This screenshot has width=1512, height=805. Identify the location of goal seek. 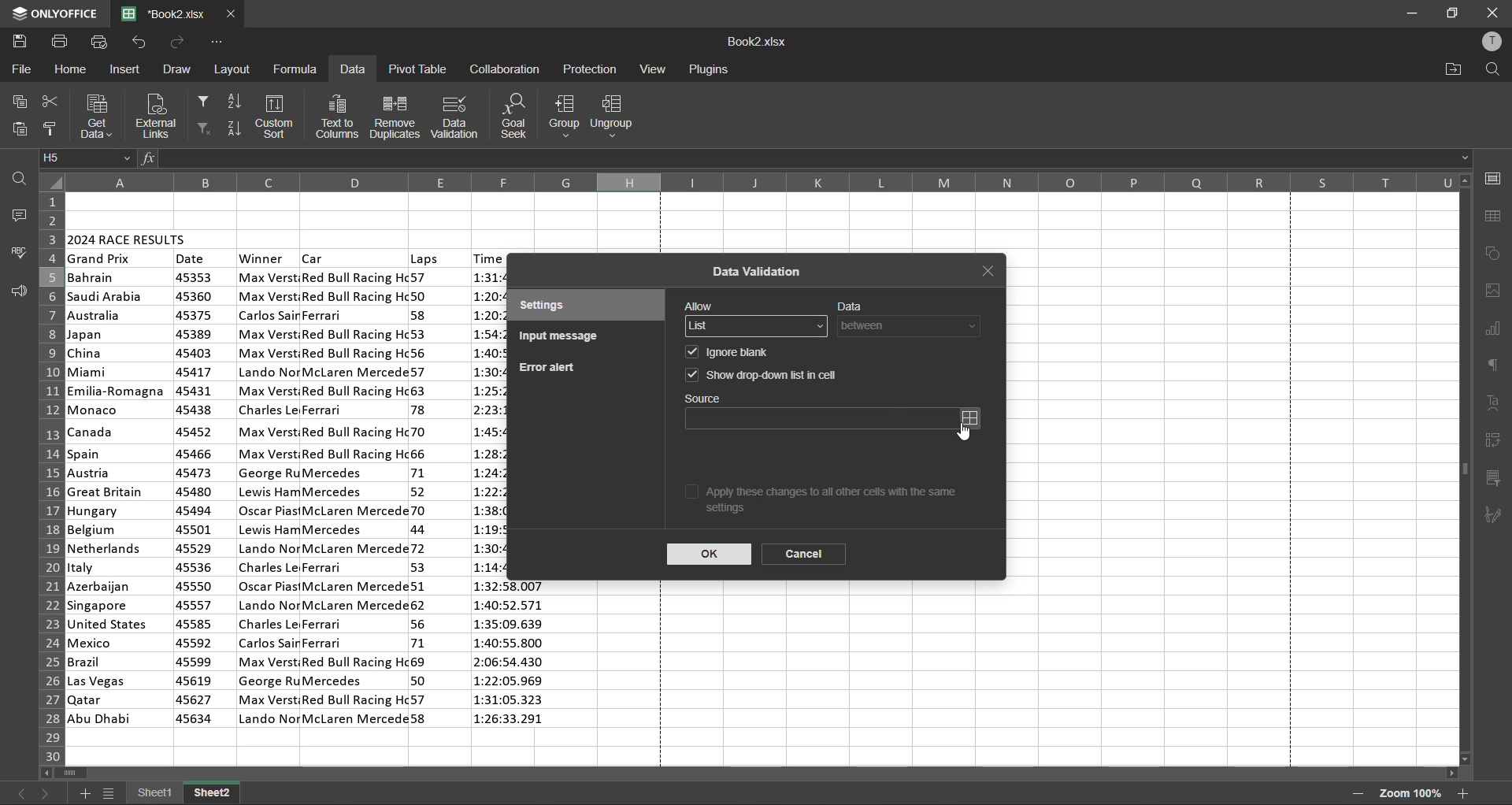
(518, 117).